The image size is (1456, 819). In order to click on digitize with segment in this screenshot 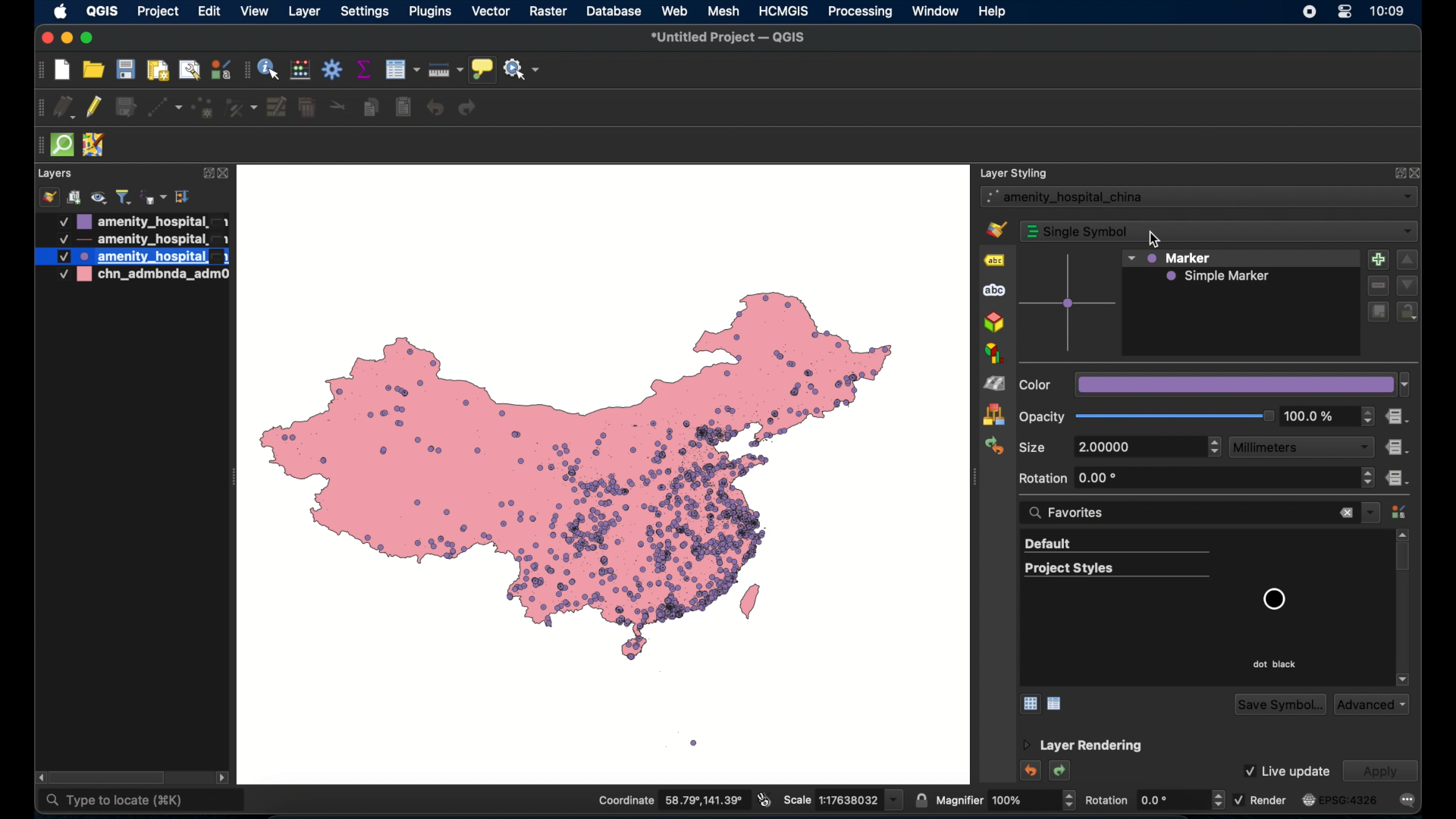, I will do `click(165, 109)`.